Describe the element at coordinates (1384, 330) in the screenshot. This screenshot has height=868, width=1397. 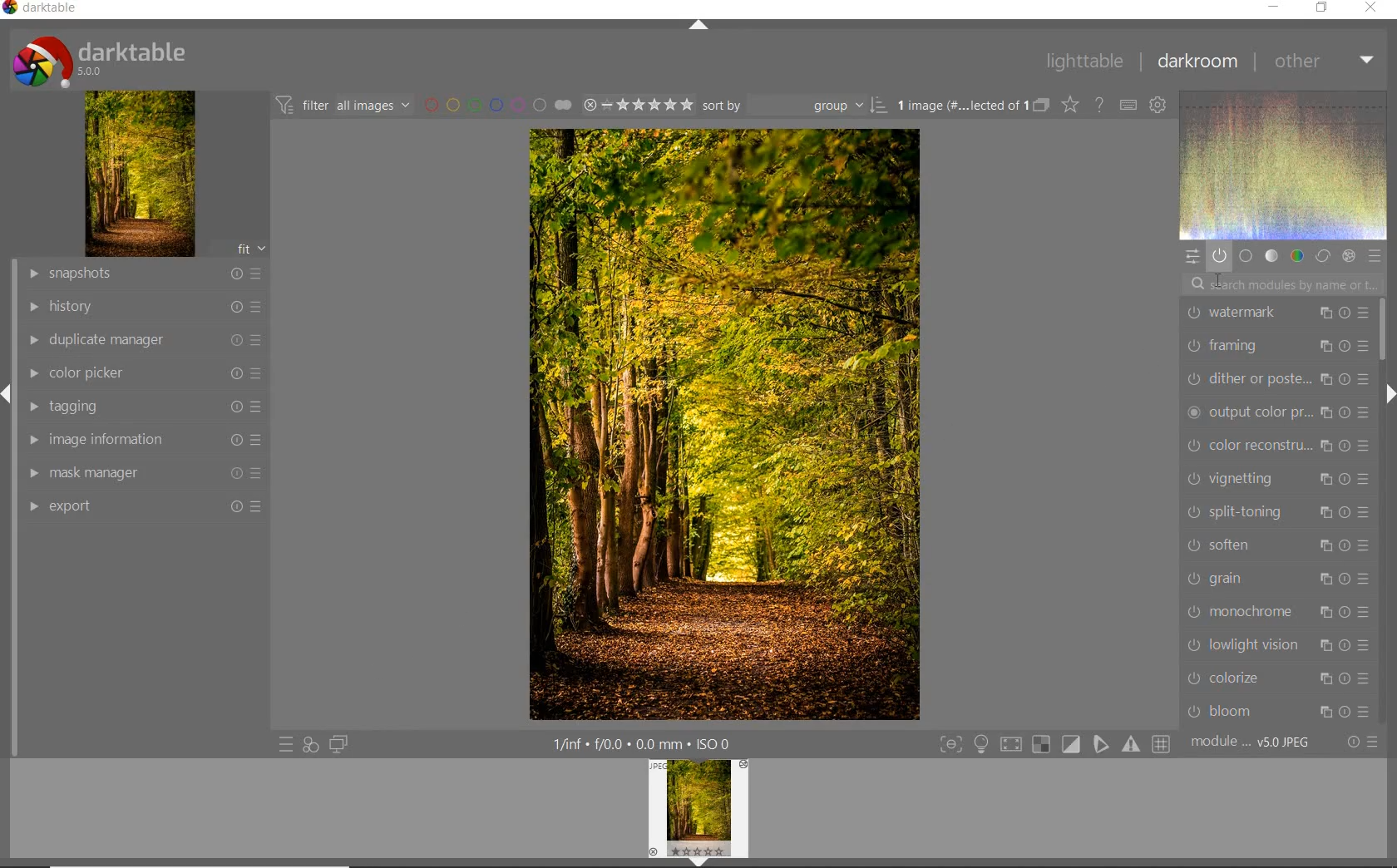
I see `scrollbar` at that location.